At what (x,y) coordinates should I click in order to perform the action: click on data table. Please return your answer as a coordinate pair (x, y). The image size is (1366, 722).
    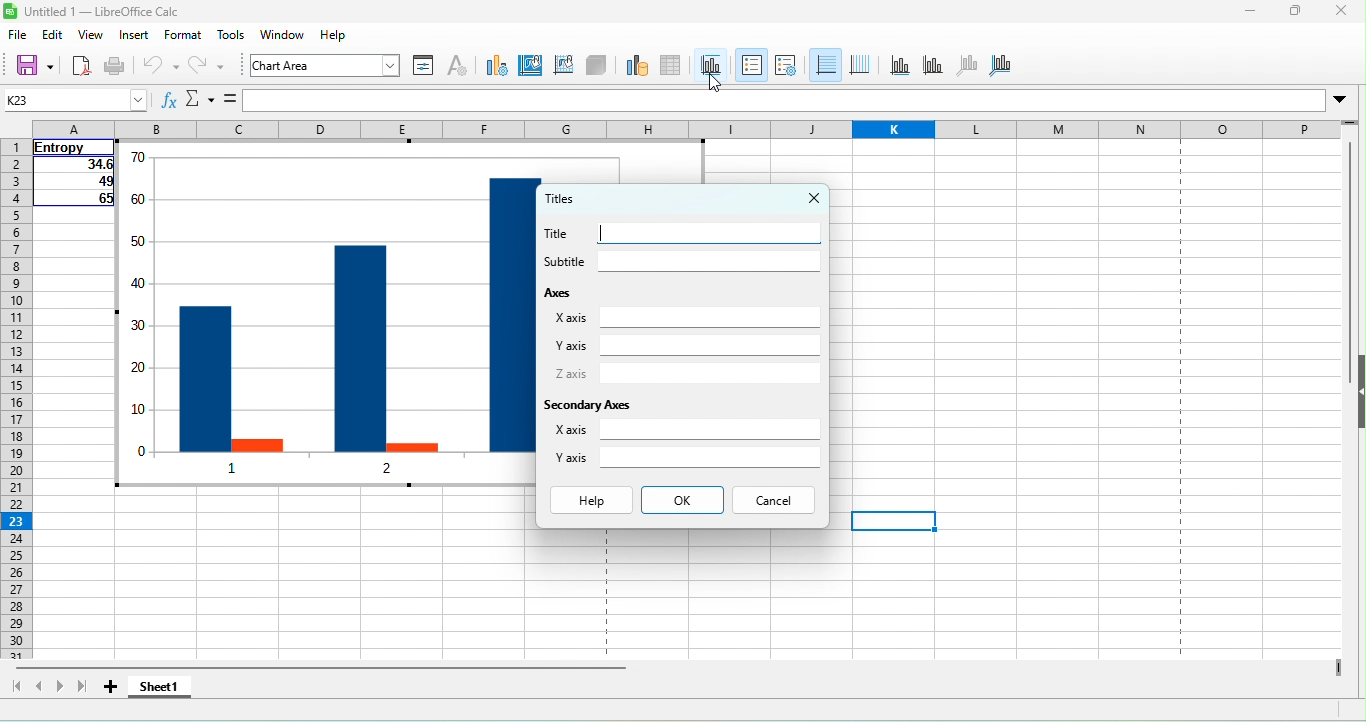
    Looking at the image, I should click on (674, 67).